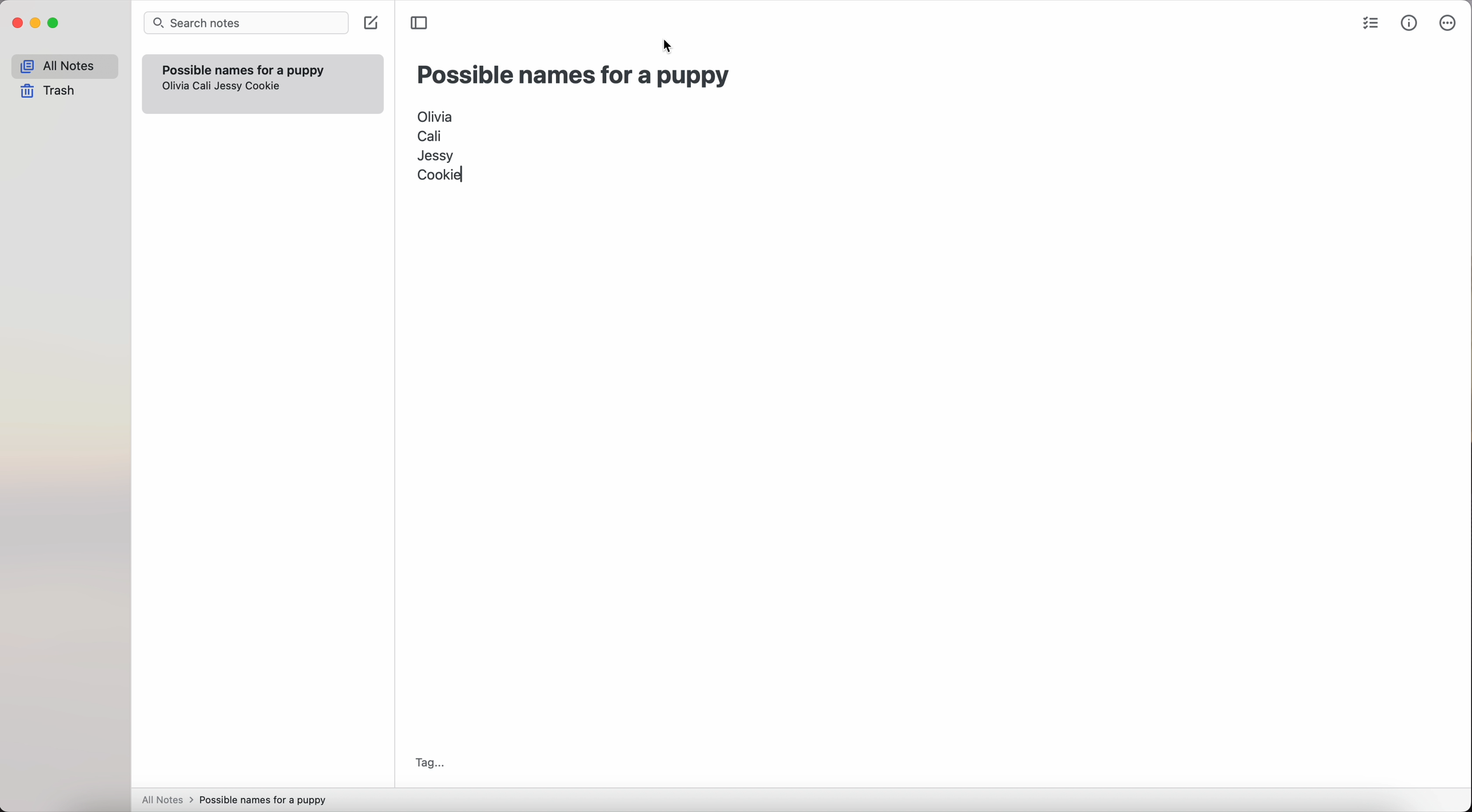  What do you see at coordinates (177, 86) in the screenshot?
I see `olivia` at bounding box center [177, 86].